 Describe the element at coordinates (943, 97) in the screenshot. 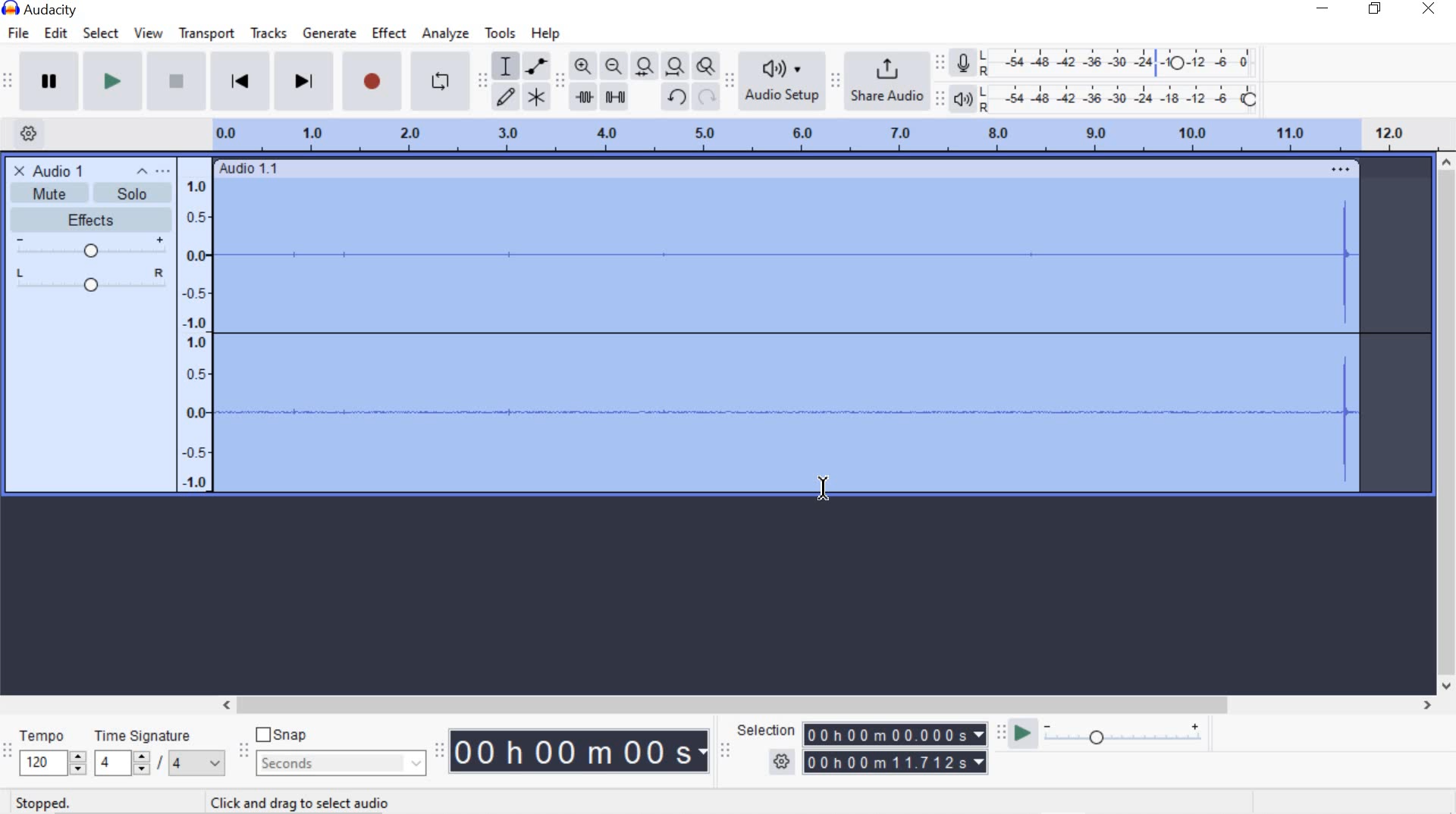

I see `Playback meter toolbar` at that location.